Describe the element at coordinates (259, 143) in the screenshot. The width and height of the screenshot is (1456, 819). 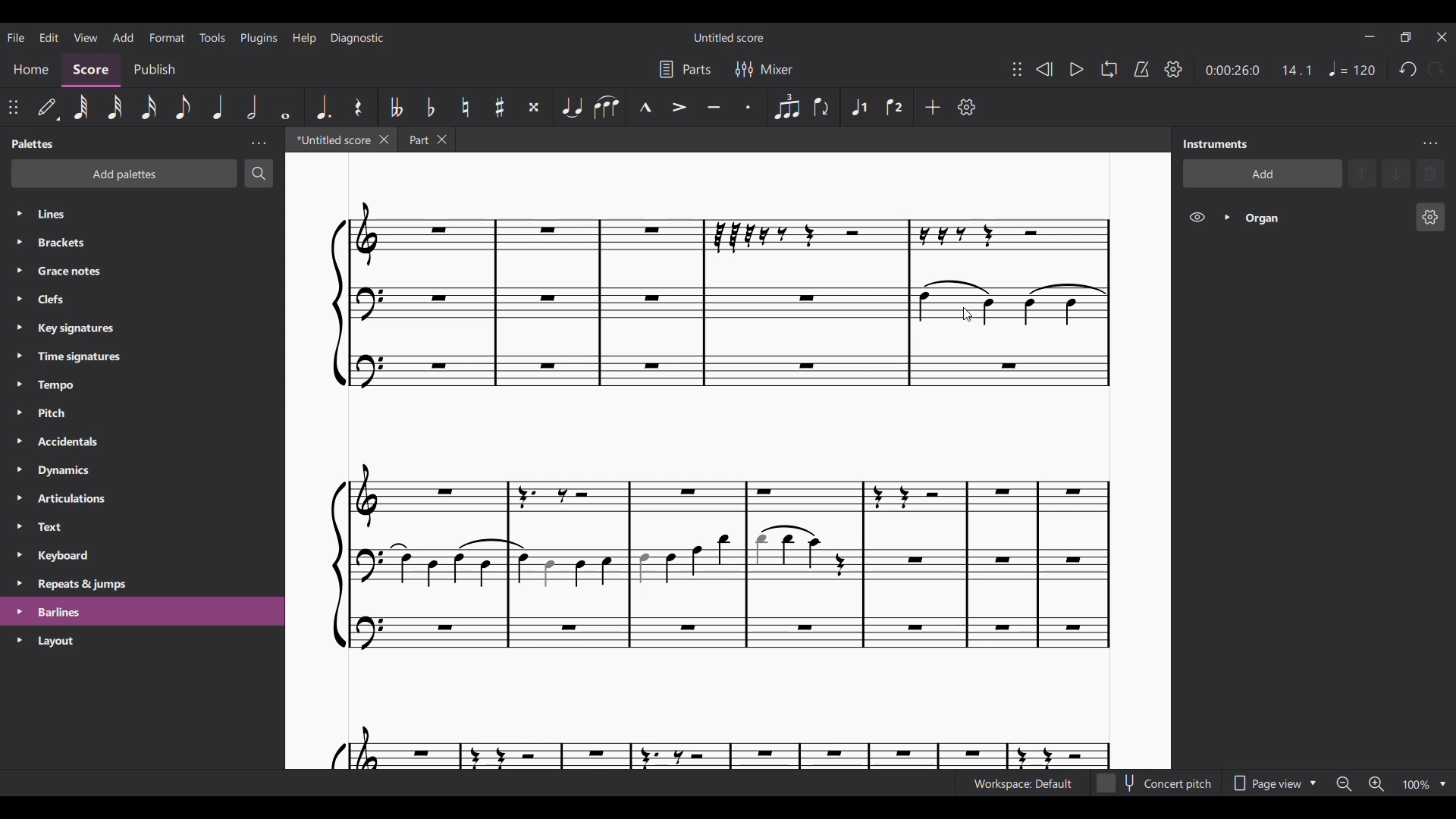
I see `Palette panel settings` at that location.